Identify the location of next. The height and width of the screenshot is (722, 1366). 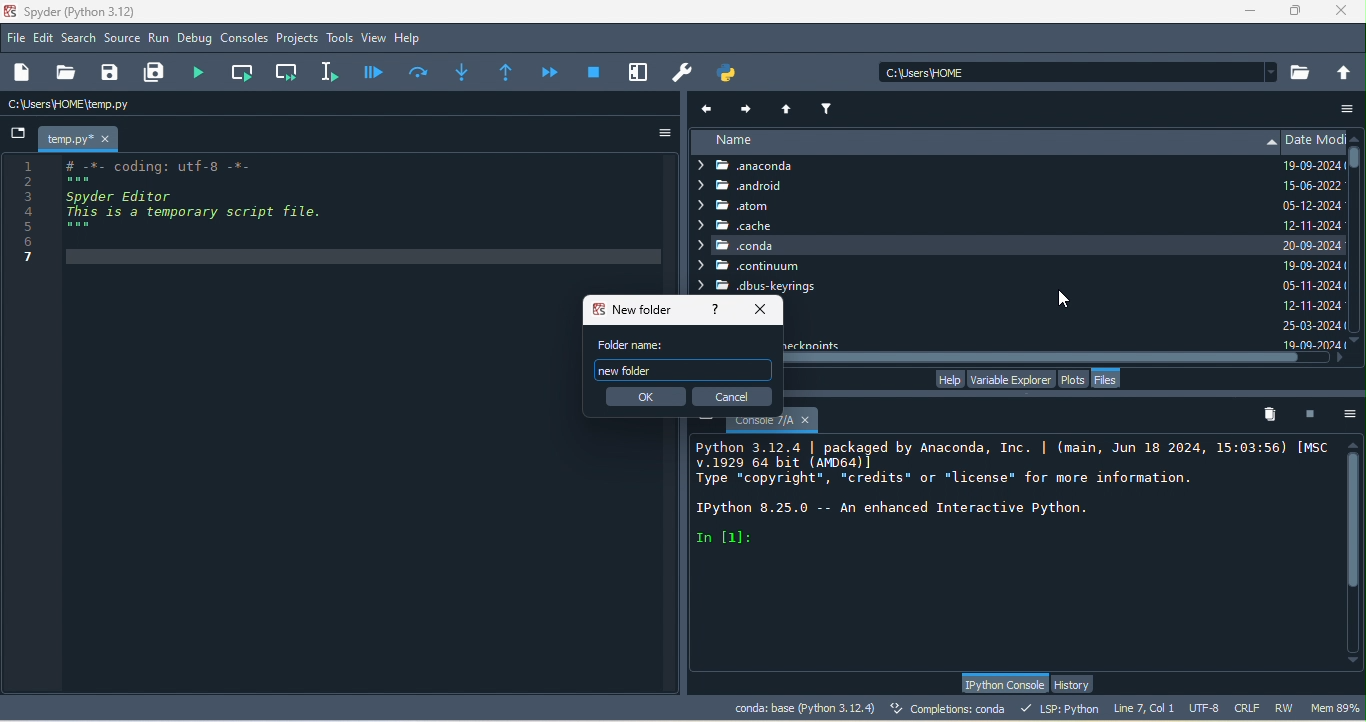
(747, 106).